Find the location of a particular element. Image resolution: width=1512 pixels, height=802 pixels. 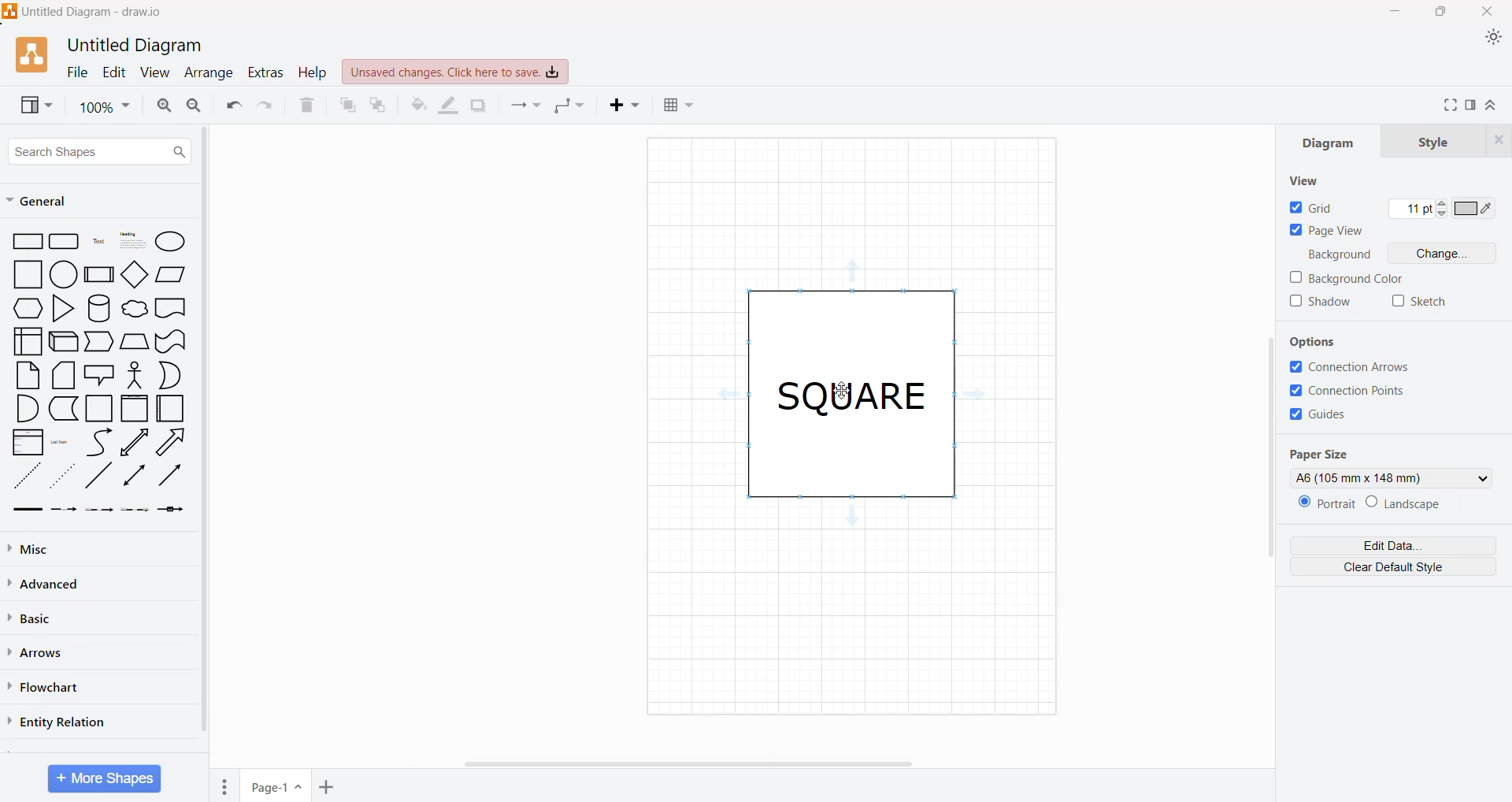

Upward line is located at coordinates (134, 442).